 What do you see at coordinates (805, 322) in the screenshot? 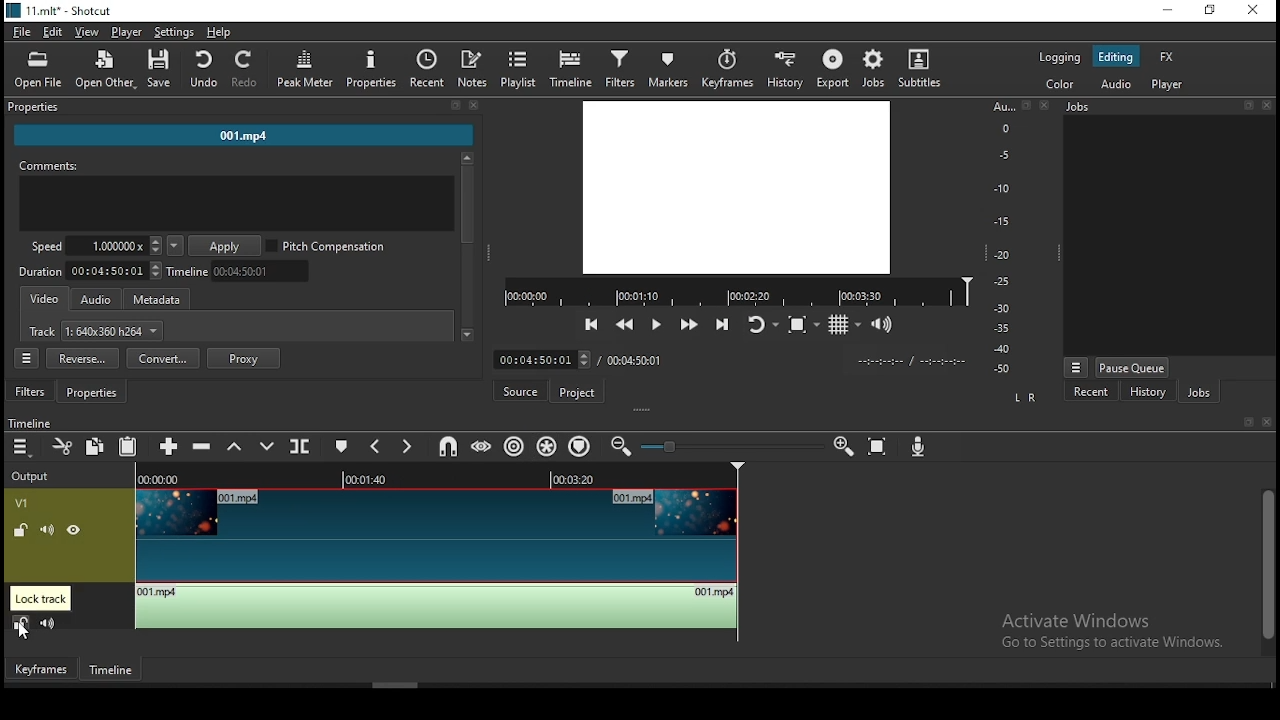
I see `toggle zoom` at bounding box center [805, 322].